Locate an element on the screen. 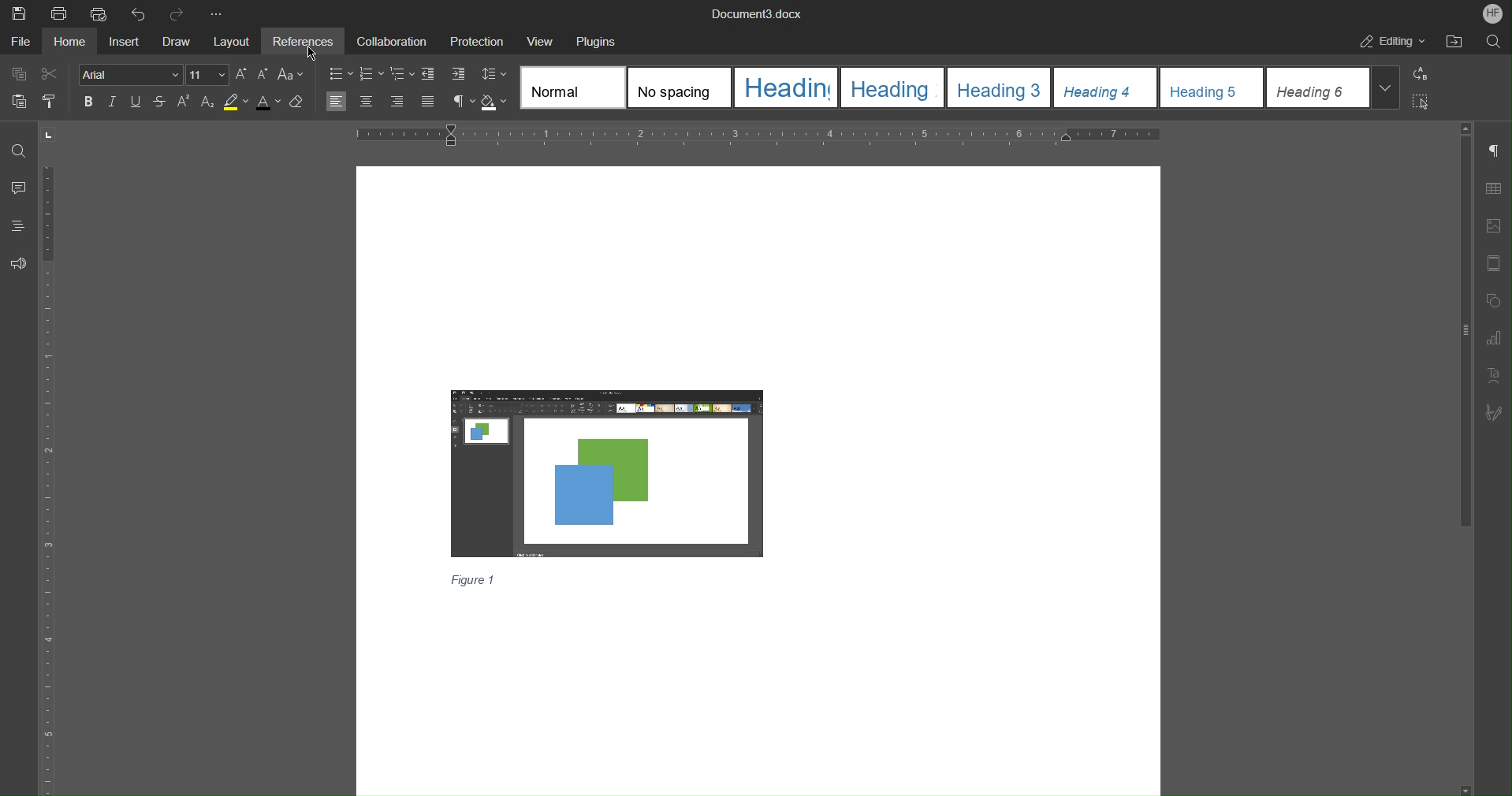  Comment is located at coordinates (18, 186).